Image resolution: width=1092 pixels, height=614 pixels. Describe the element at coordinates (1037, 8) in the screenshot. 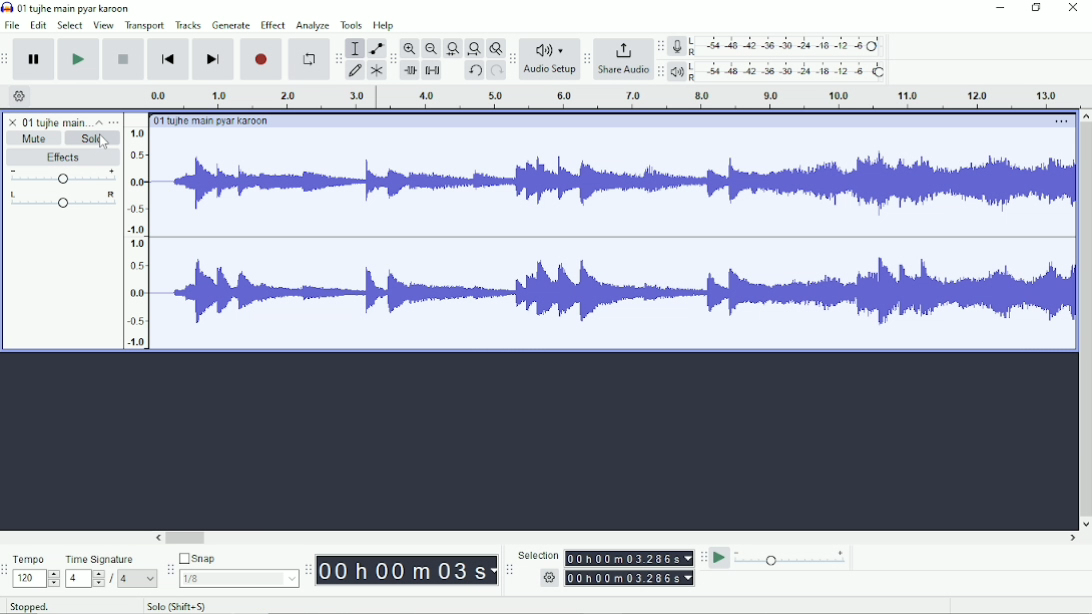

I see `Maximize` at that location.